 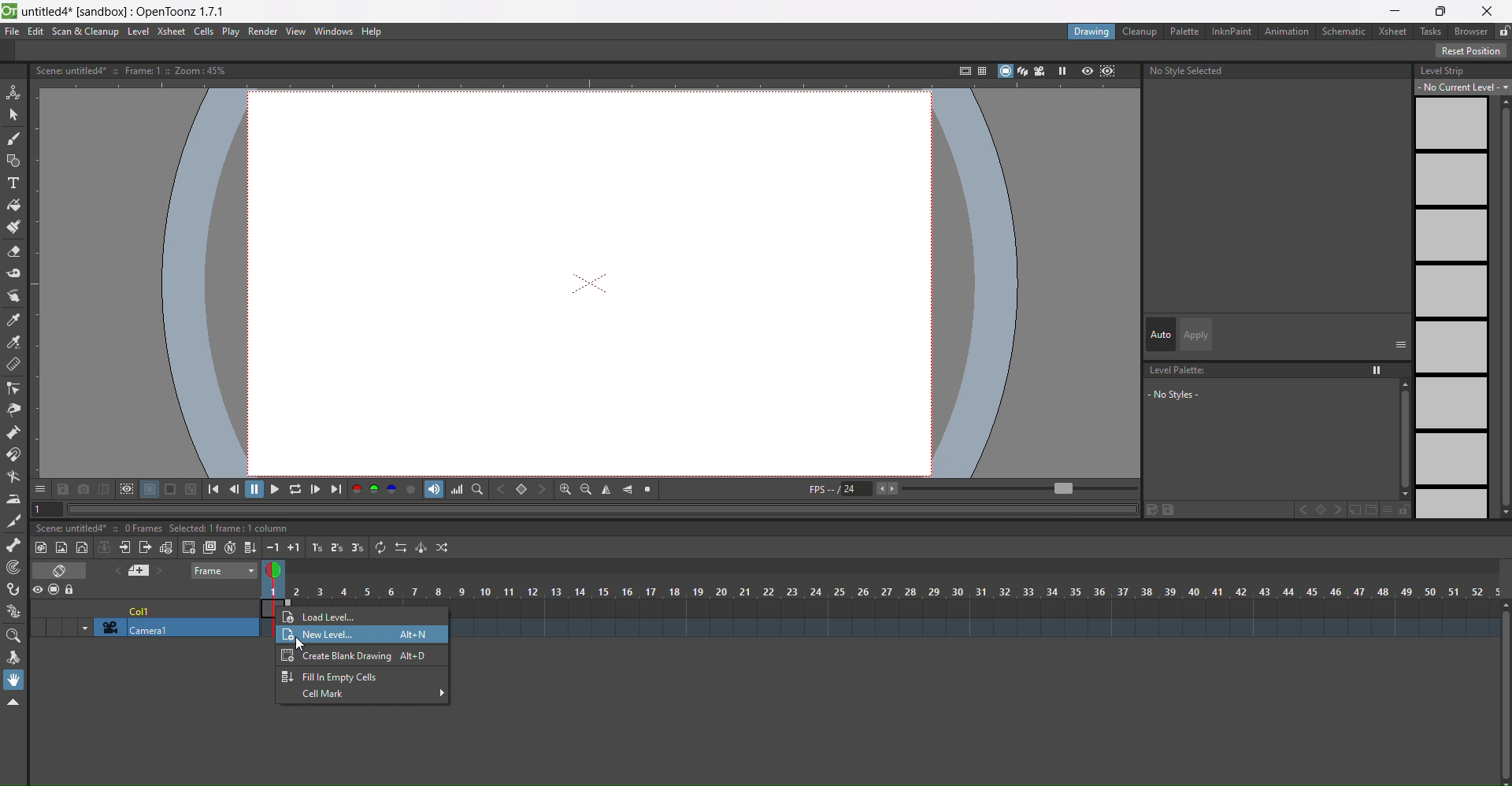 What do you see at coordinates (143, 570) in the screenshot?
I see `add new memo` at bounding box center [143, 570].